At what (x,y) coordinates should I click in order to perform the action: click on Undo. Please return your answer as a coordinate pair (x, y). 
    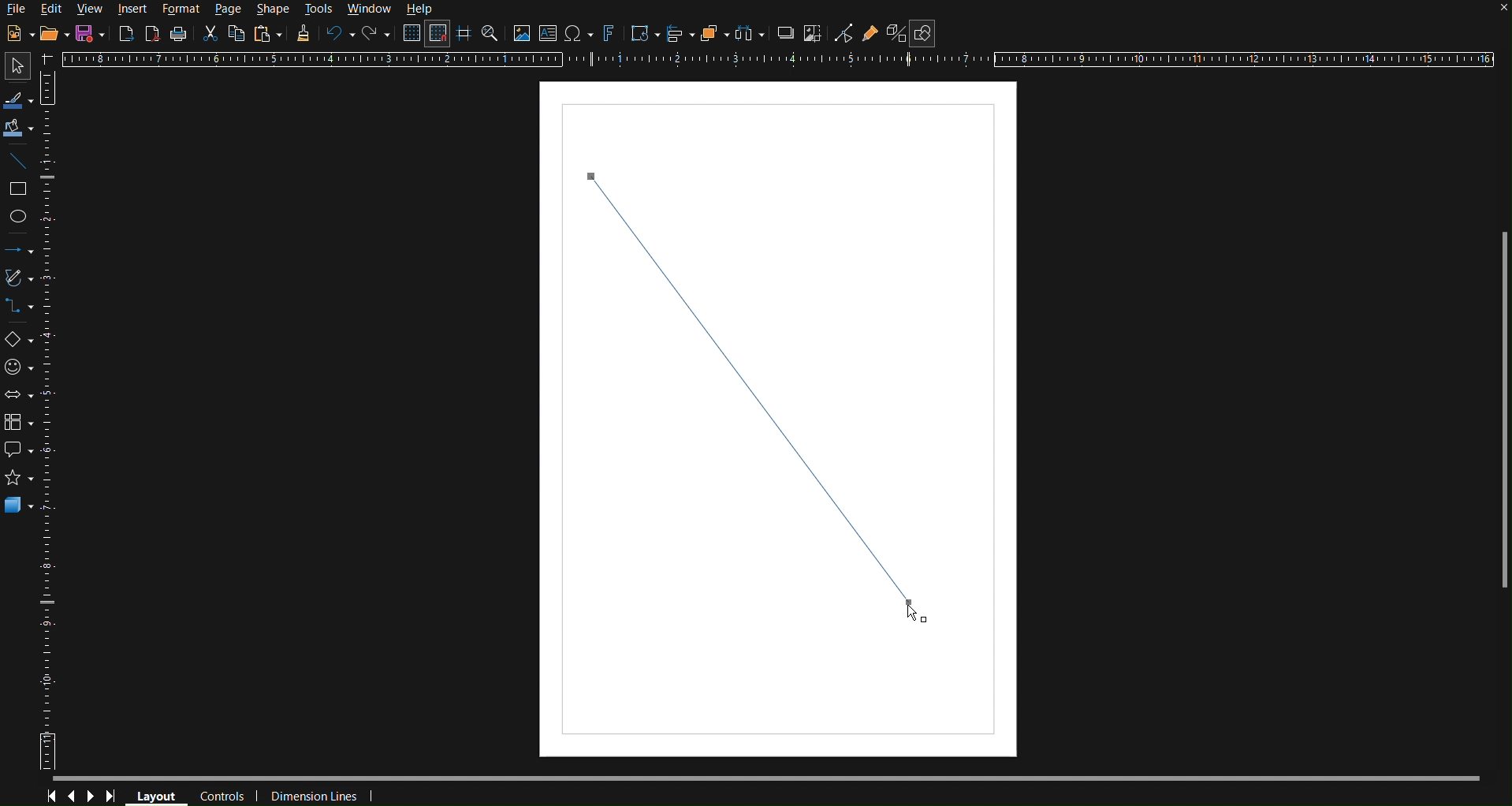
    Looking at the image, I should click on (341, 34).